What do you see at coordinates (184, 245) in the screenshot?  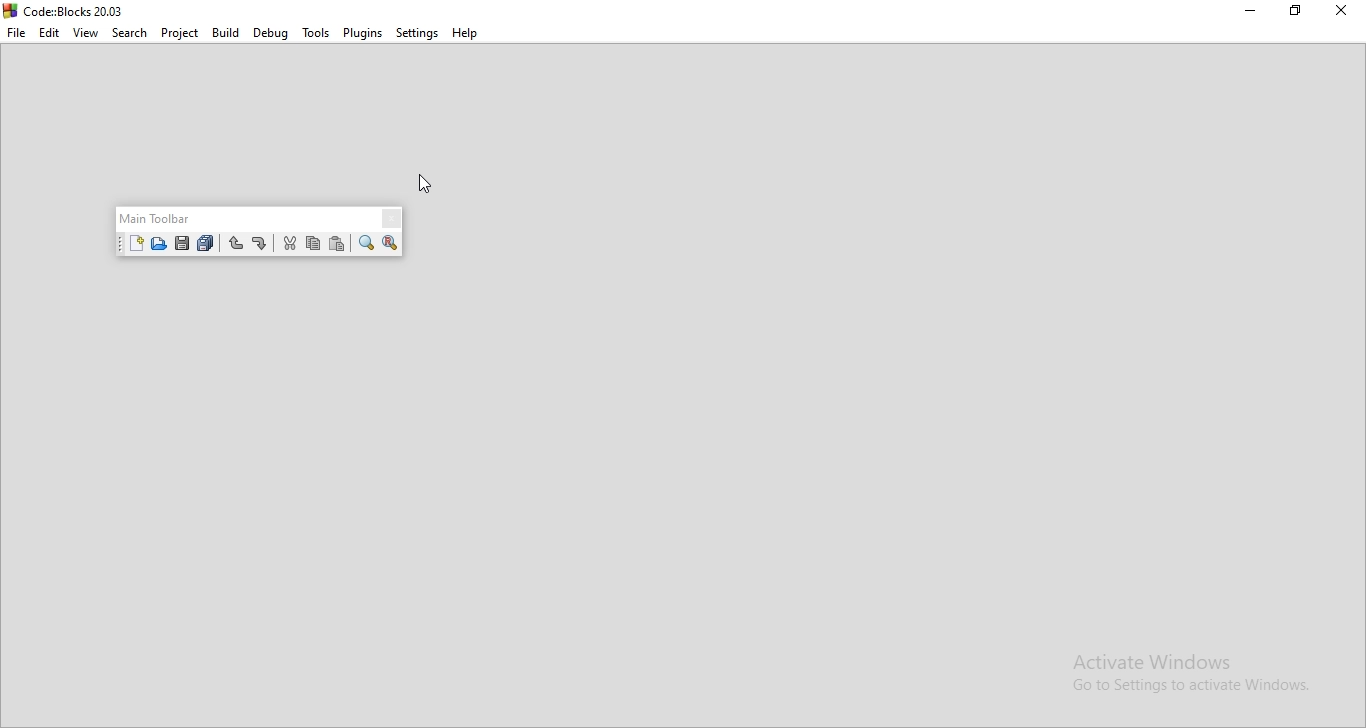 I see `save` at bounding box center [184, 245].